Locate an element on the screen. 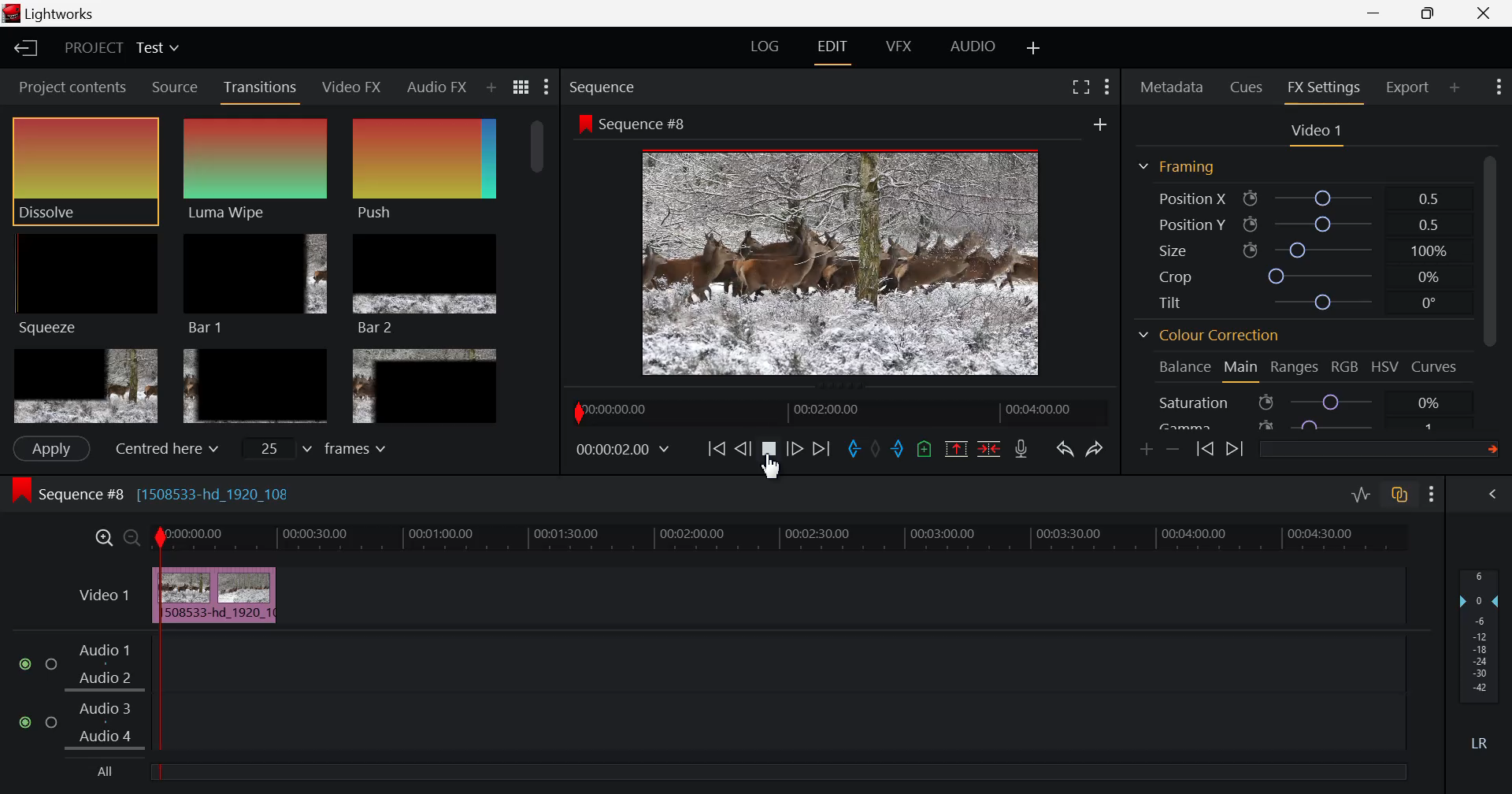 Image resolution: width=1512 pixels, height=794 pixels. LOG is located at coordinates (765, 49).